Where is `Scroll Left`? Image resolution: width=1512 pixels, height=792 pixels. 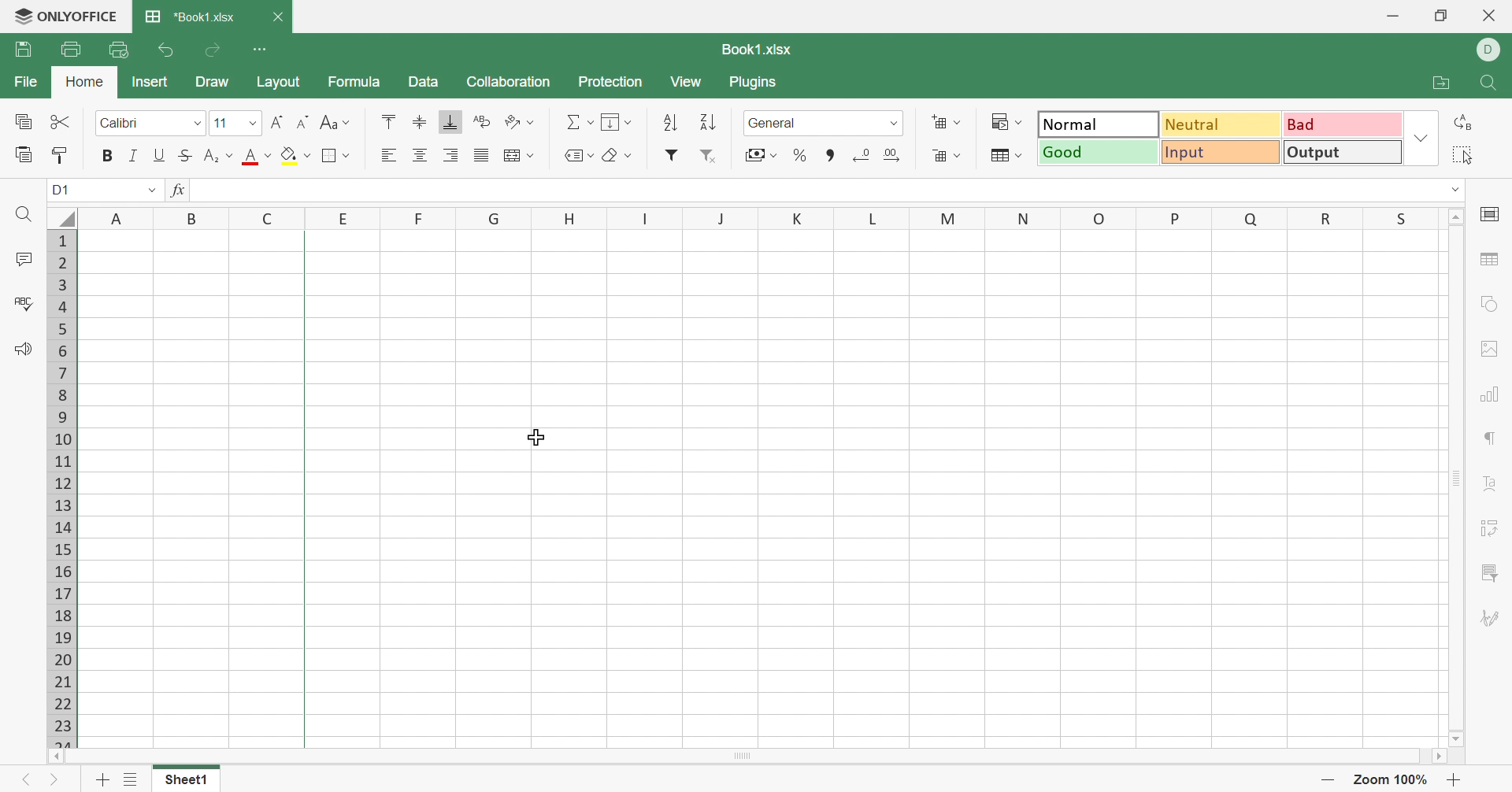 Scroll Left is located at coordinates (55, 756).